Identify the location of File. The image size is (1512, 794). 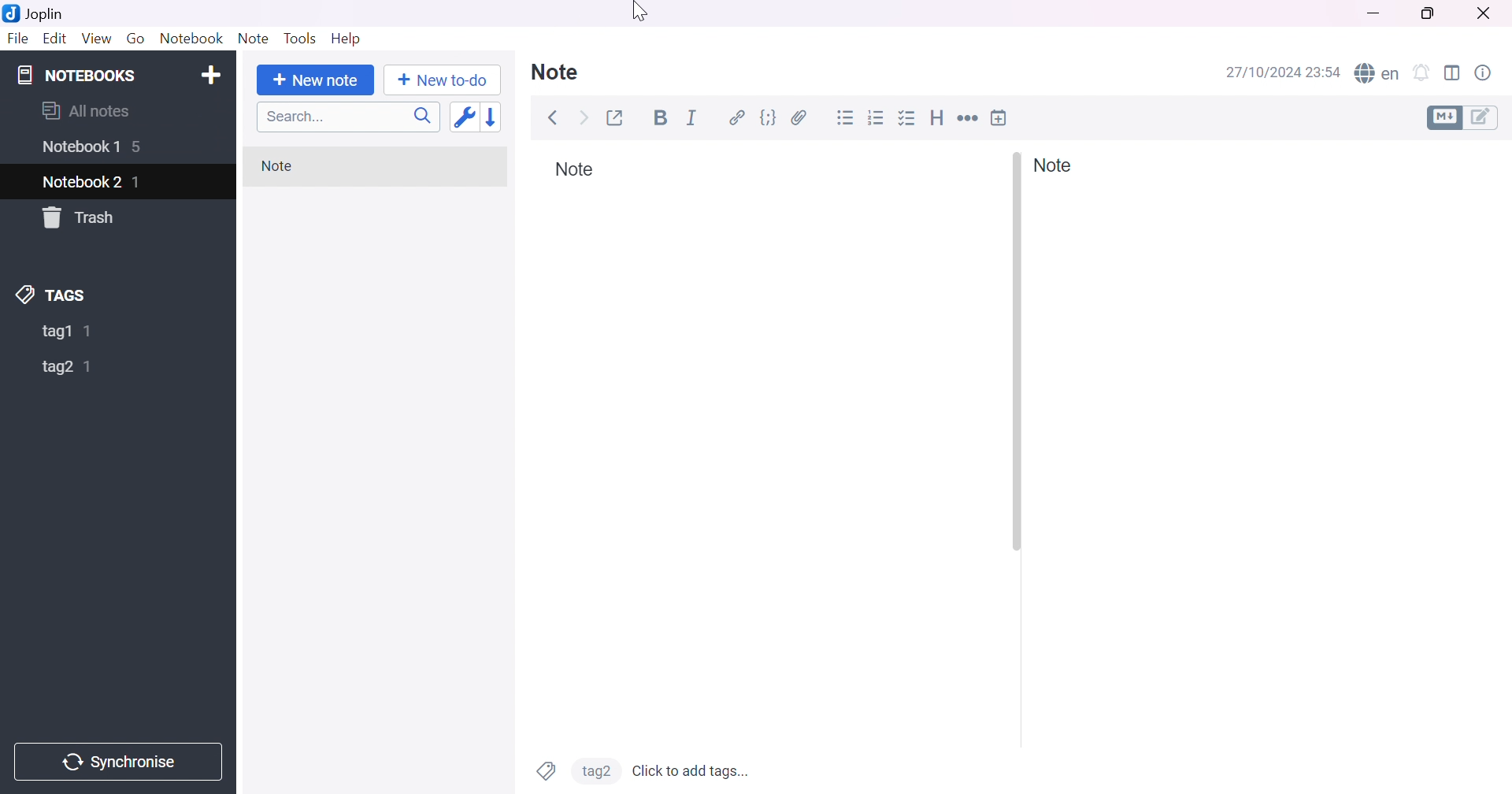
(16, 39).